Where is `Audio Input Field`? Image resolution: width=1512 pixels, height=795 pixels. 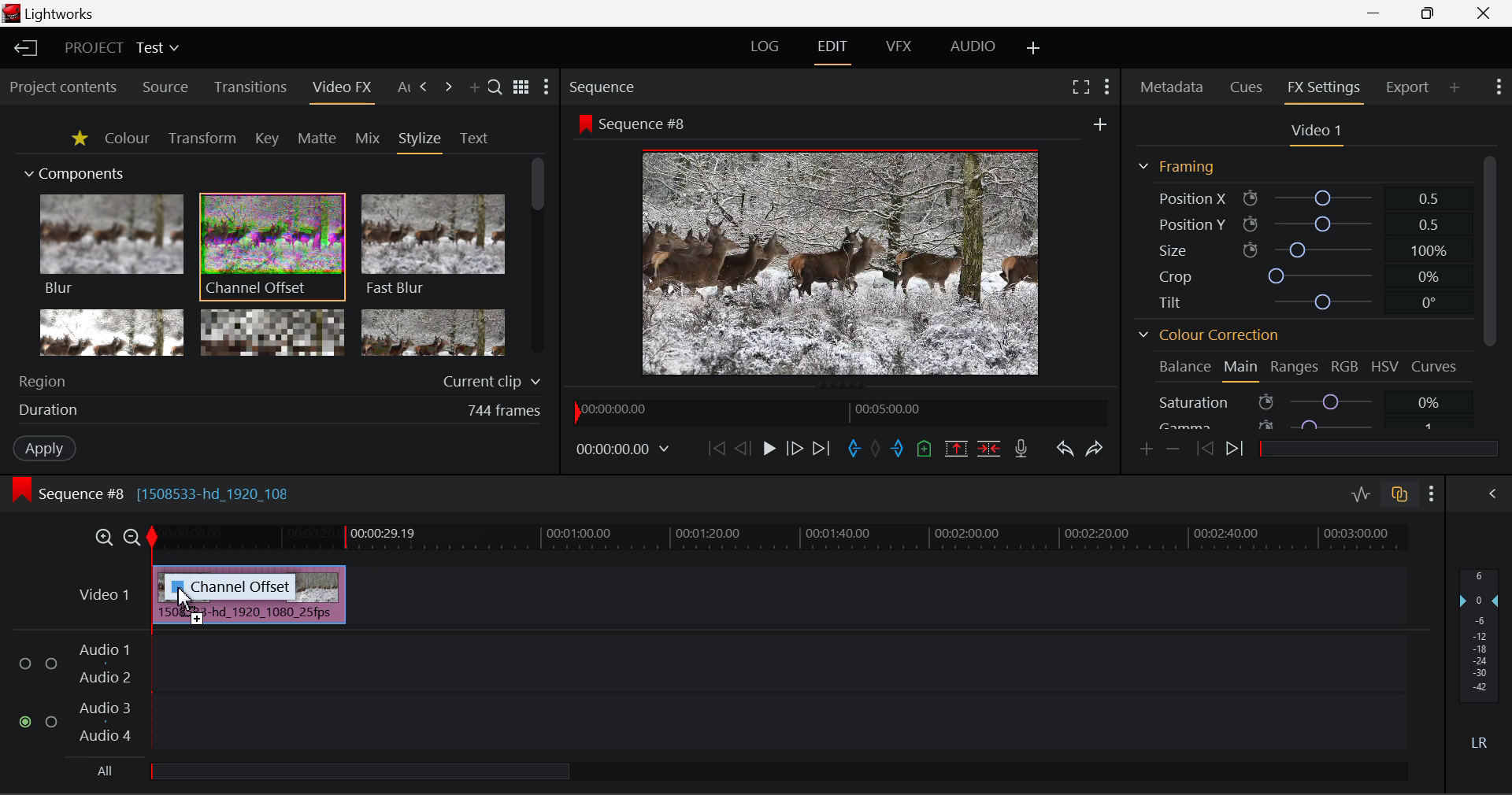
Audio Input Field is located at coordinates (708, 694).